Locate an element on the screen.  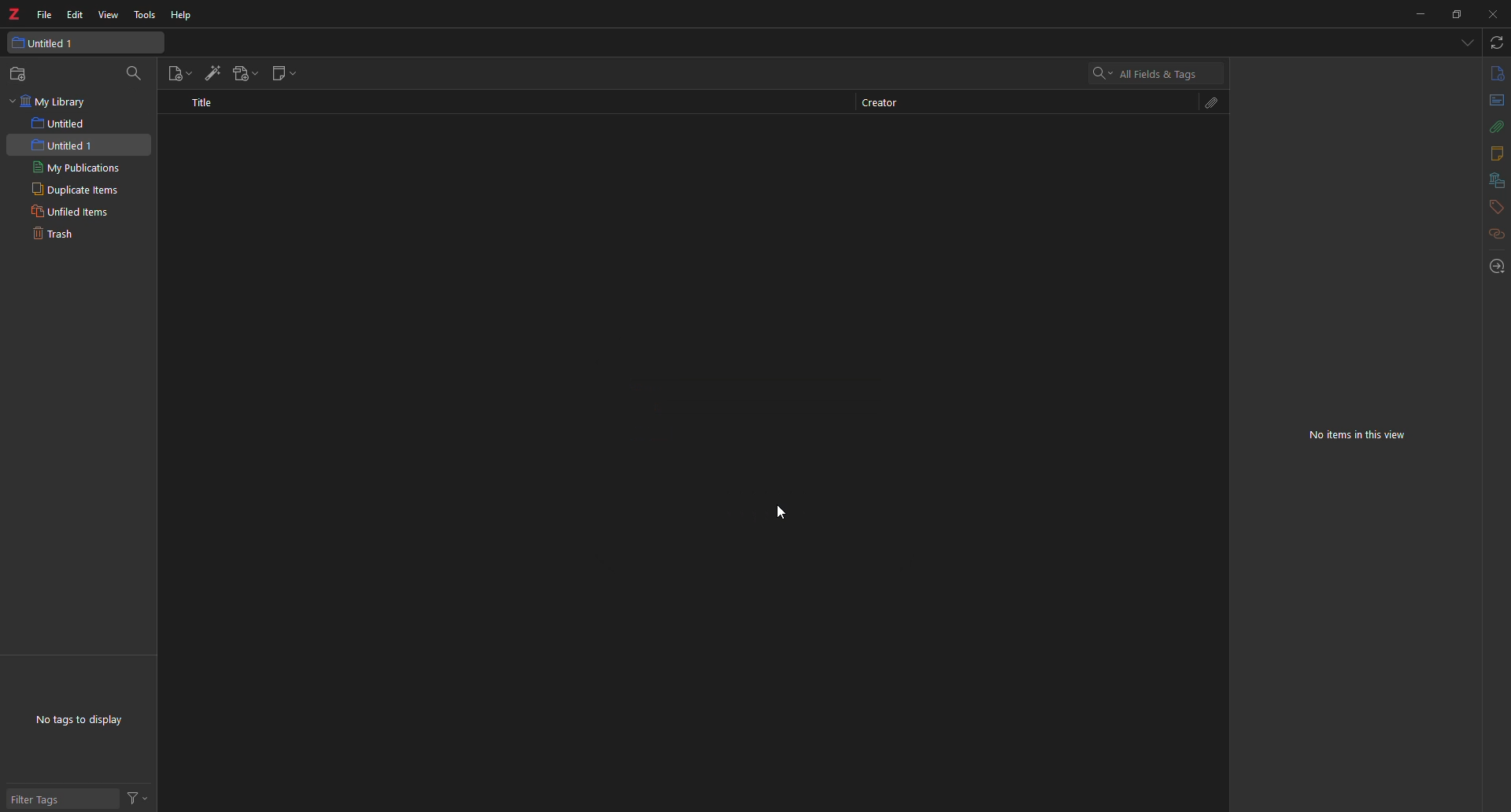
maximize is located at coordinates (1457, 14).